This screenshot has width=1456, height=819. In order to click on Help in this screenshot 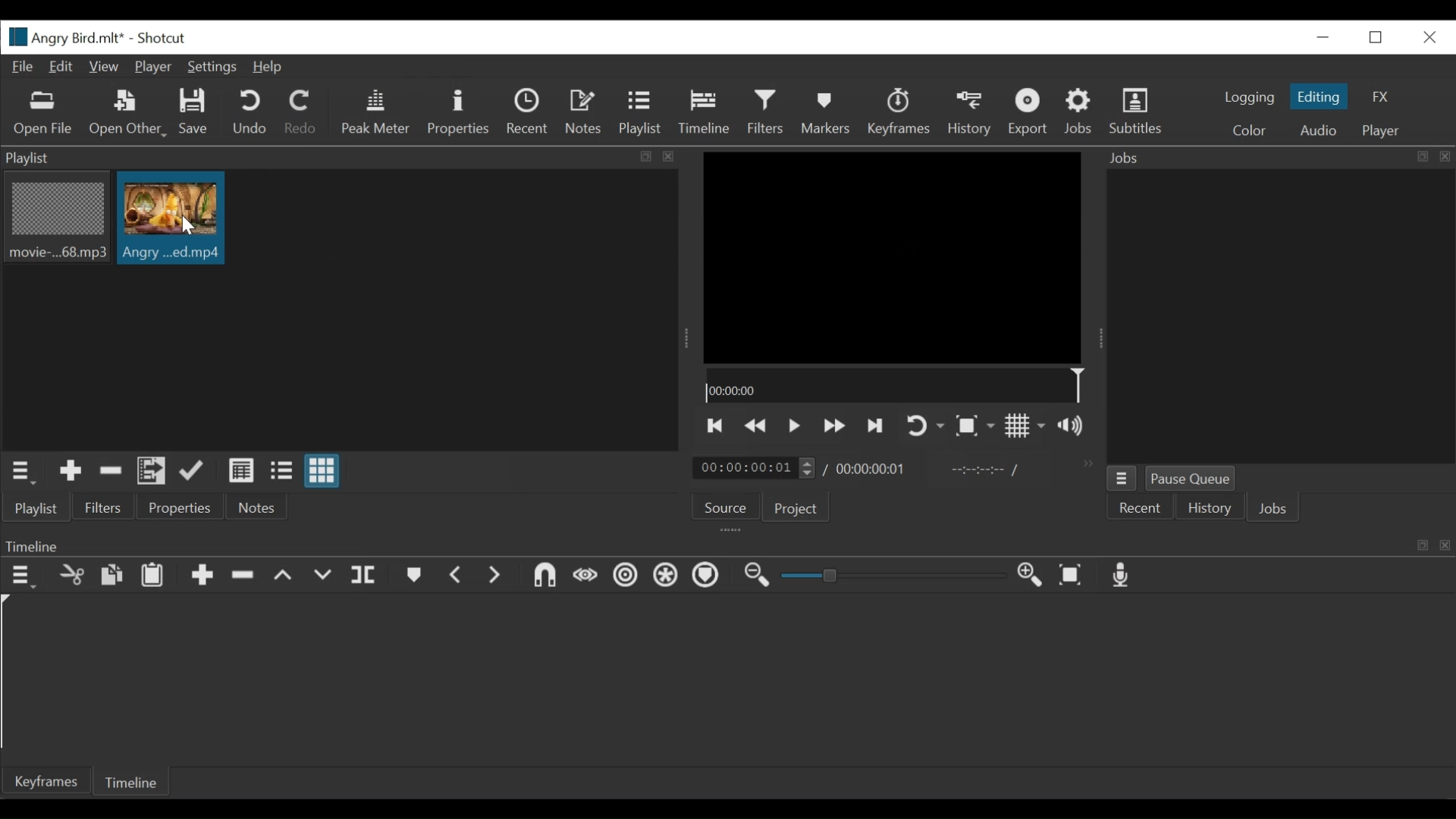, I will do `click(269, 68)`.